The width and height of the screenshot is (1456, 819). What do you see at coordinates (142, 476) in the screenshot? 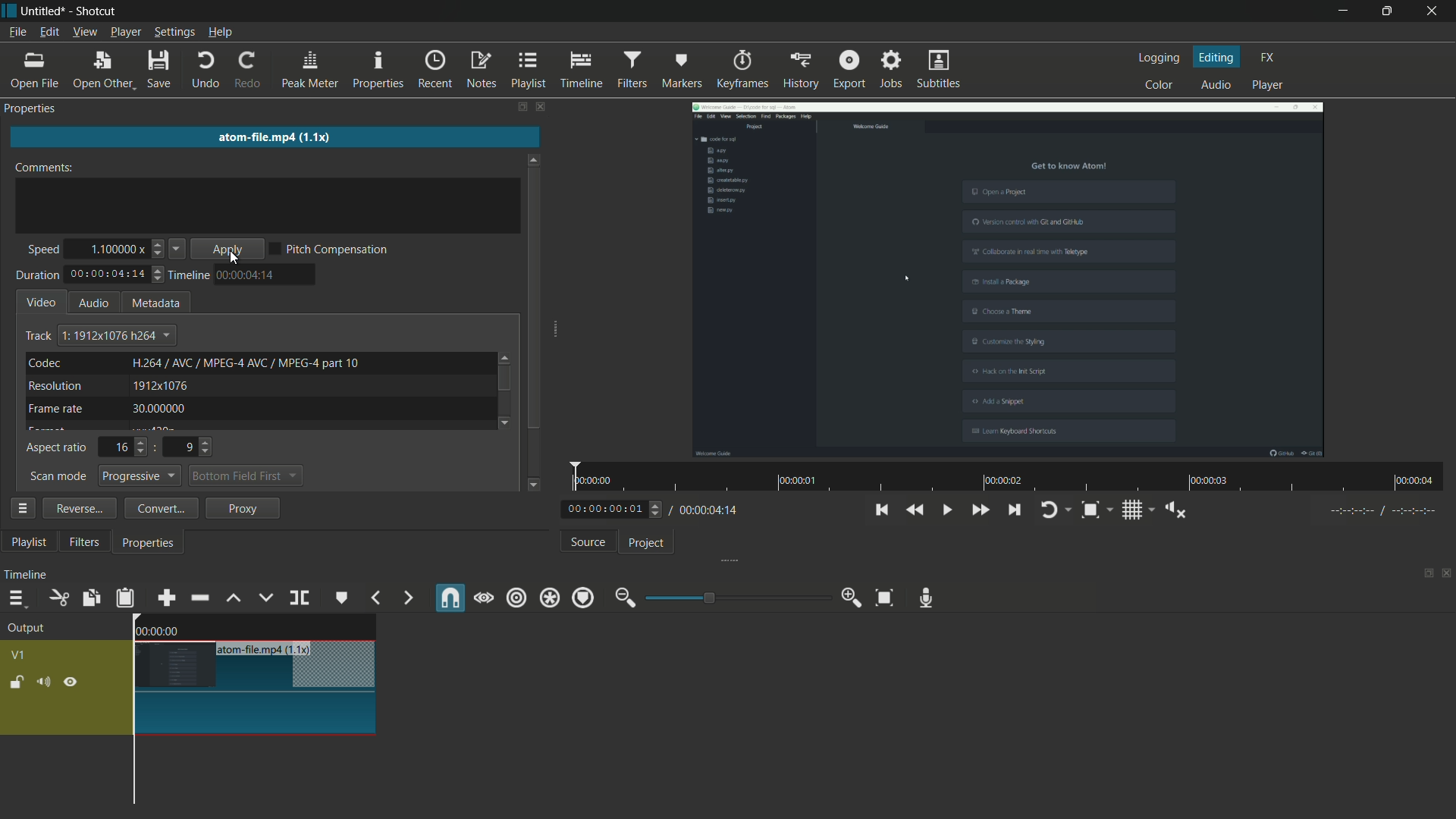
I see `progressive` at bounding box center [142, 476].